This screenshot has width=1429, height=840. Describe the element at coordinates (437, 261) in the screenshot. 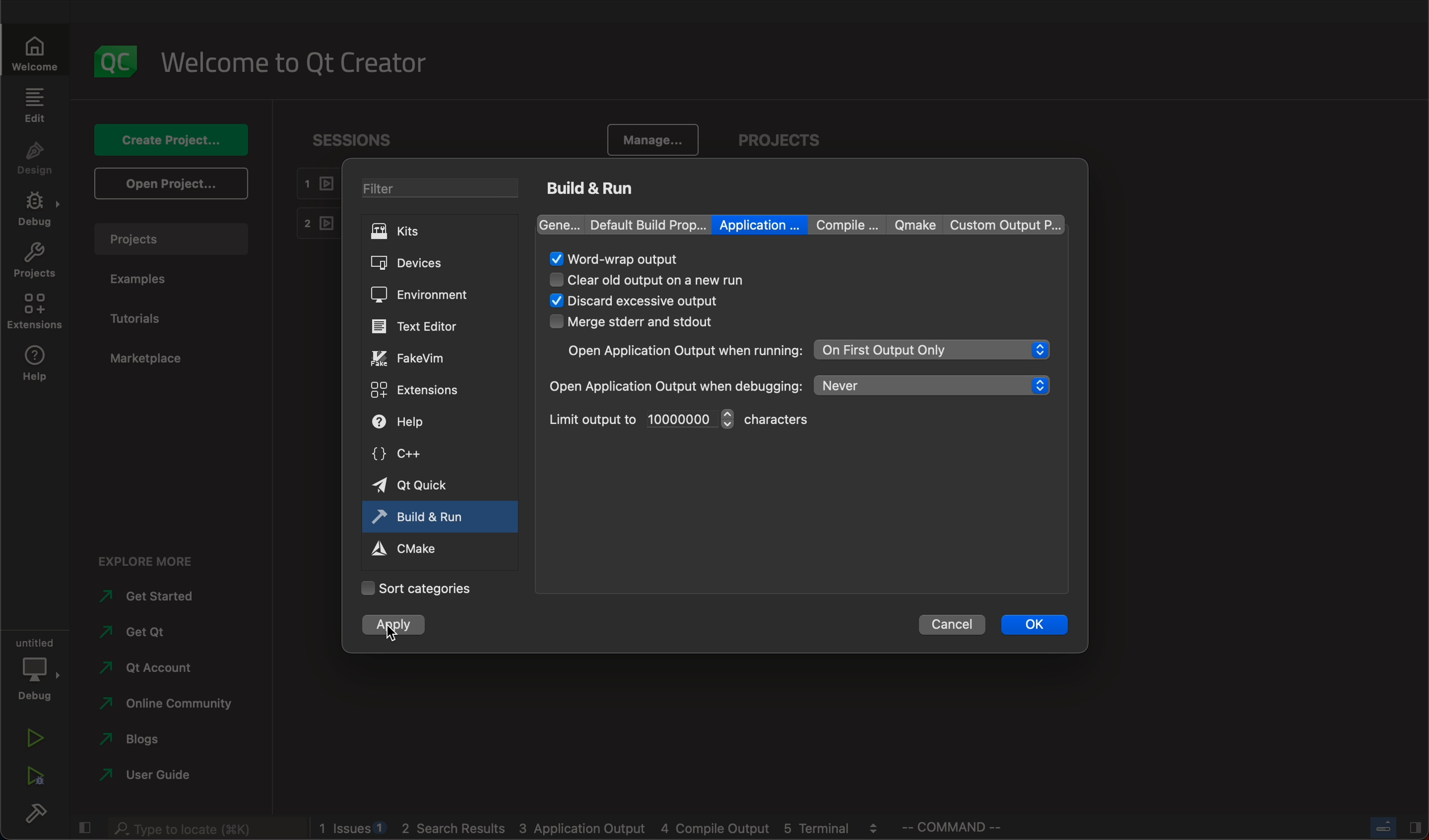

I see `devices` at that location.